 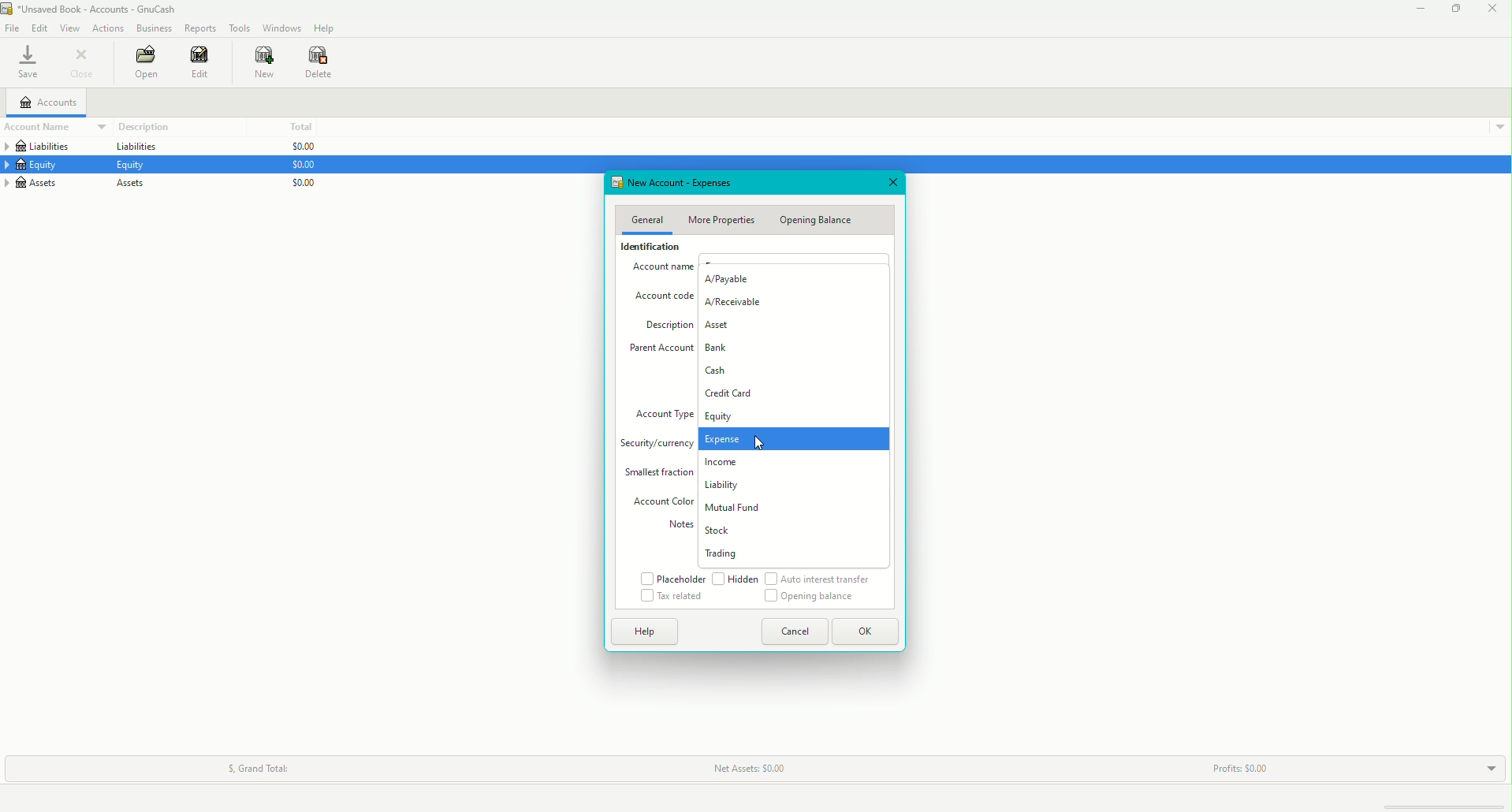 What do you see at coordinates (743, 280) in the screenshot?
I see `A/Payable` at bounding box center [743, 280].